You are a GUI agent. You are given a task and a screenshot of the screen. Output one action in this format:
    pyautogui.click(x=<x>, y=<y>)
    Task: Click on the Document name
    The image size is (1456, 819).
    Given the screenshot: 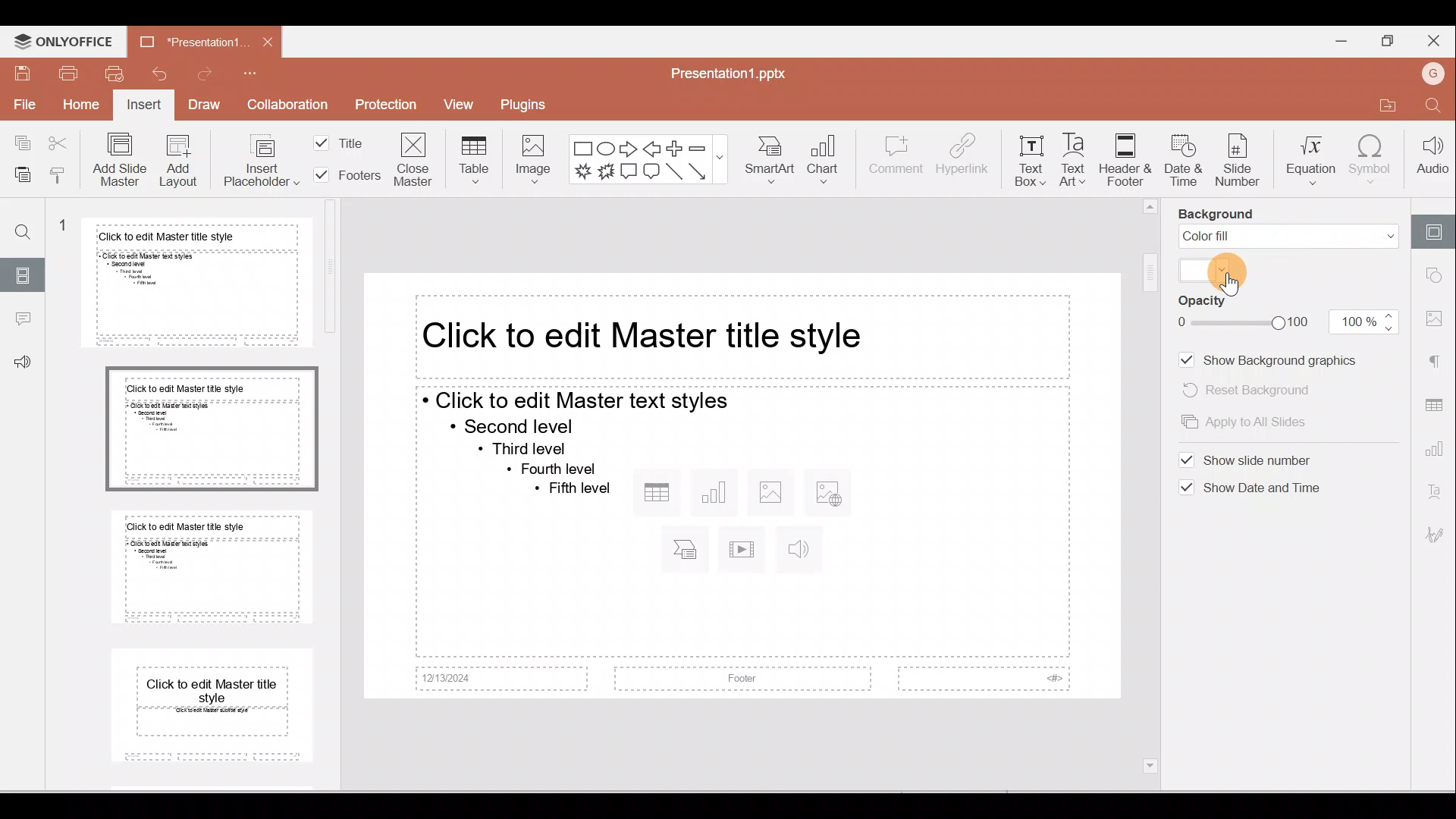 What is the action you would take?
    pyautogui.click(x=187, y=39)
    